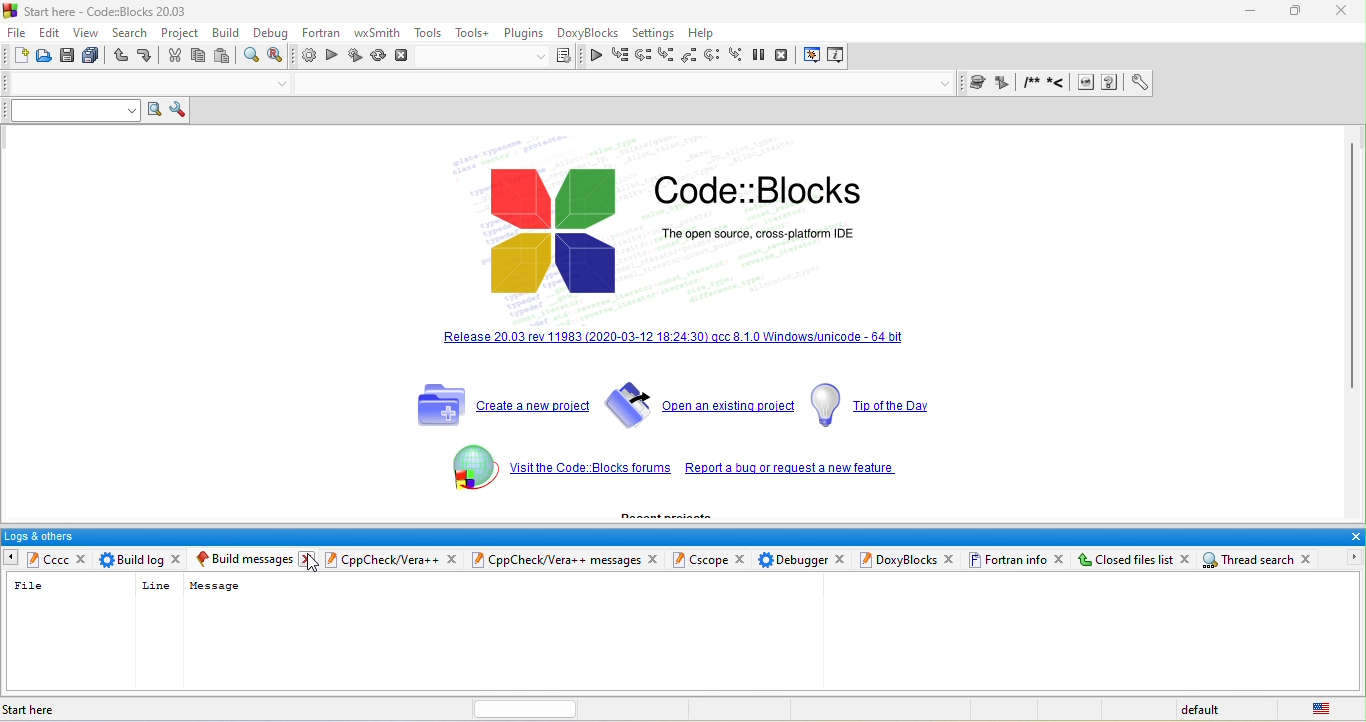  Describe the element at coordinates (1353, 537) in the screenshot. I see `close` at that location.